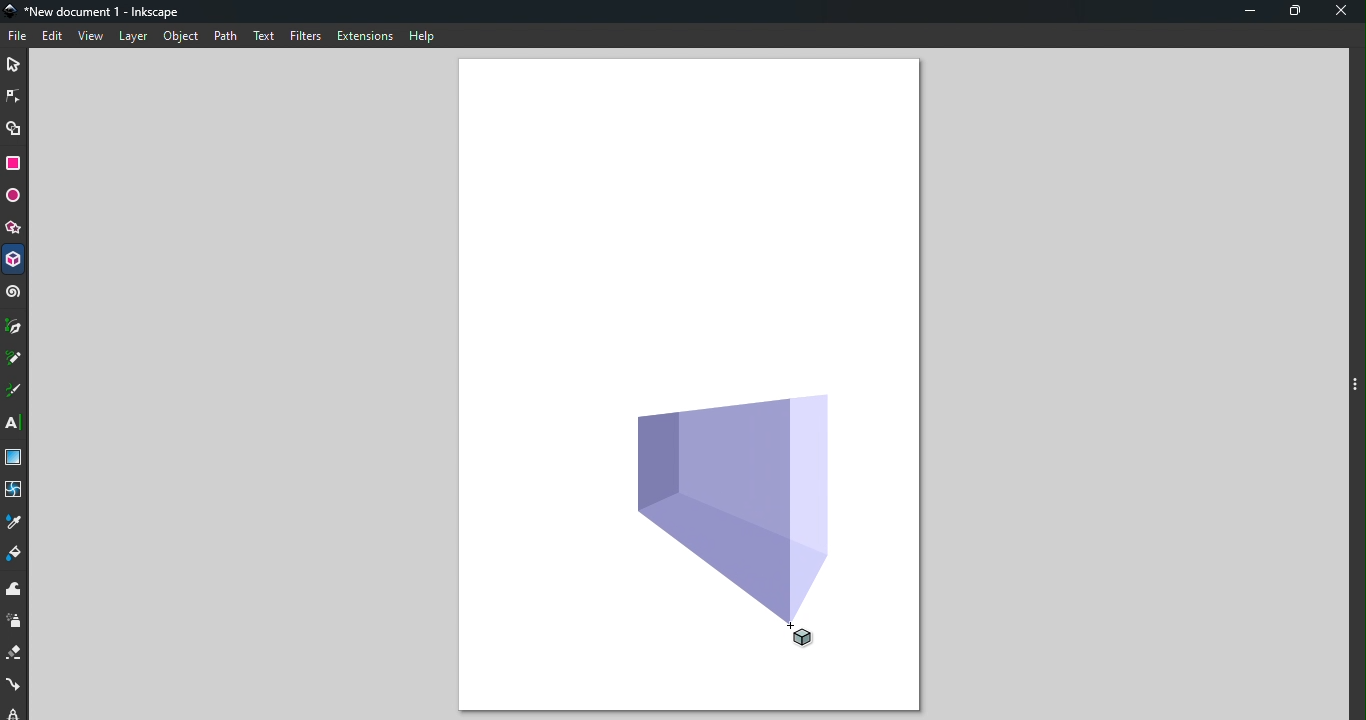 This screenshot has height=720, width=1366. What do you see at coordinates (17, 425) in the screenshot?
I see `Text tool` at bounding box center [17, 425].